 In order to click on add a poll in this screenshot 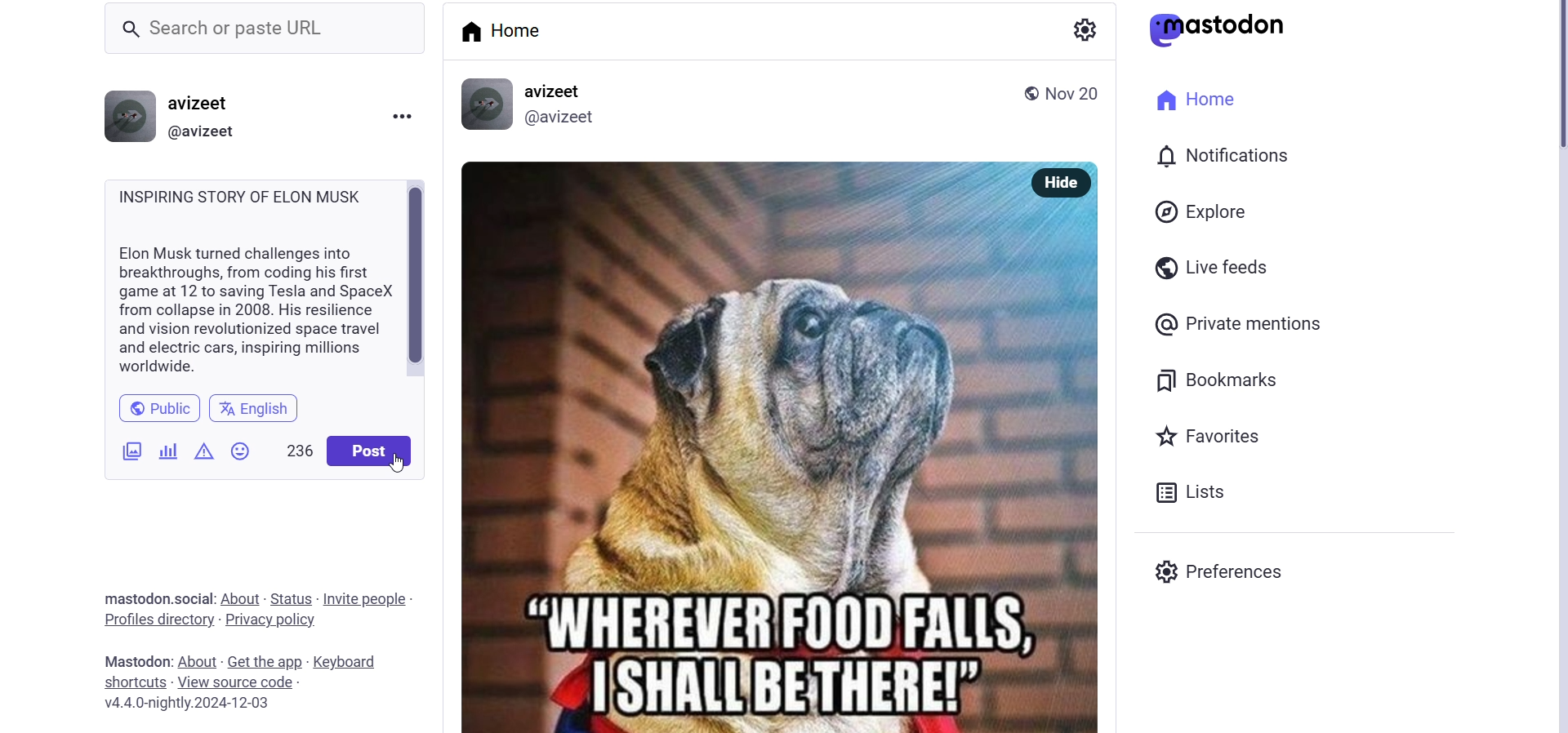, I will do `click(163, 451)`.